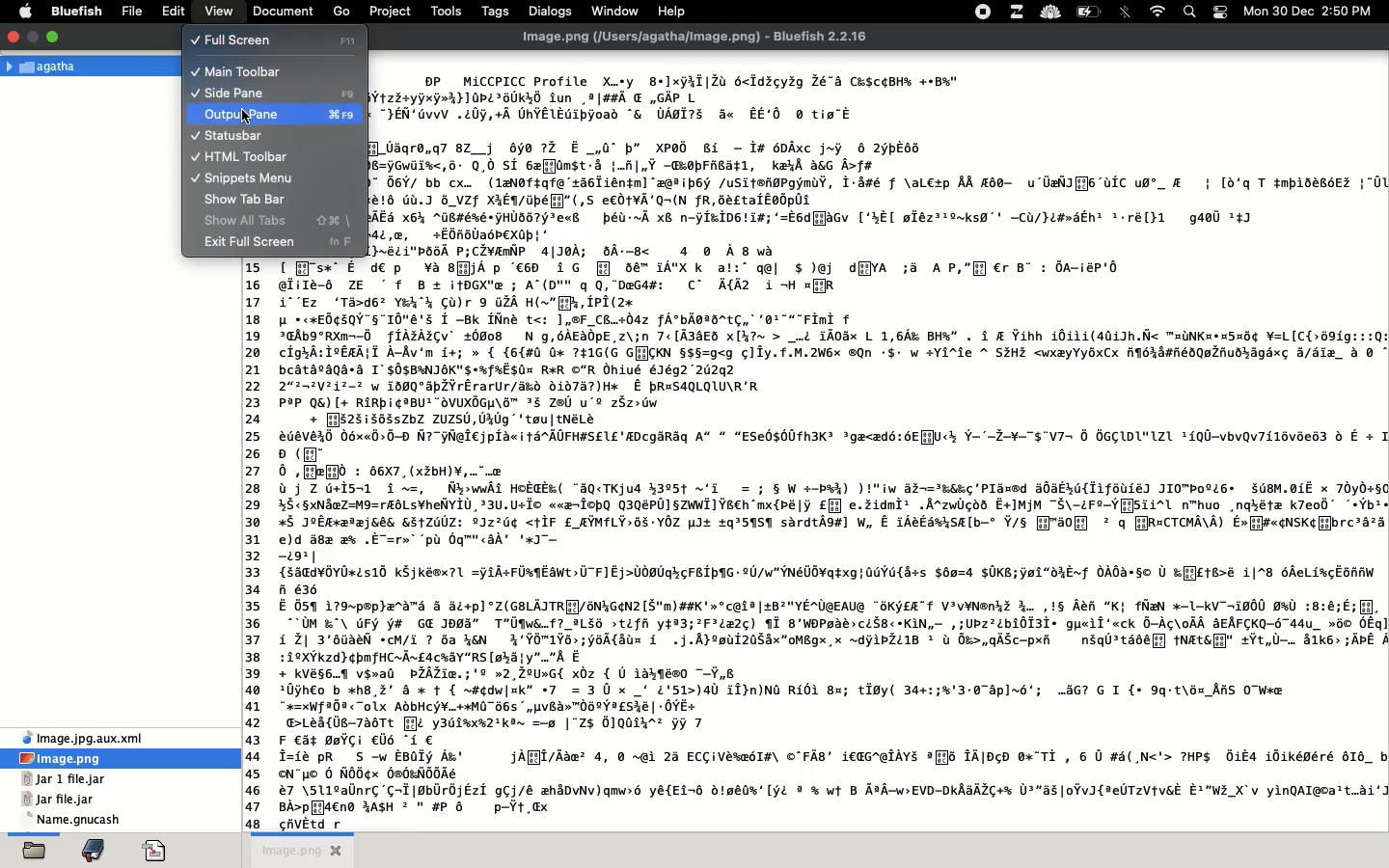 The width and height of the screenshot is (1389, 868). Describe the element at coordinates (80, 738) in the screenshot. I see `xml` at that location.